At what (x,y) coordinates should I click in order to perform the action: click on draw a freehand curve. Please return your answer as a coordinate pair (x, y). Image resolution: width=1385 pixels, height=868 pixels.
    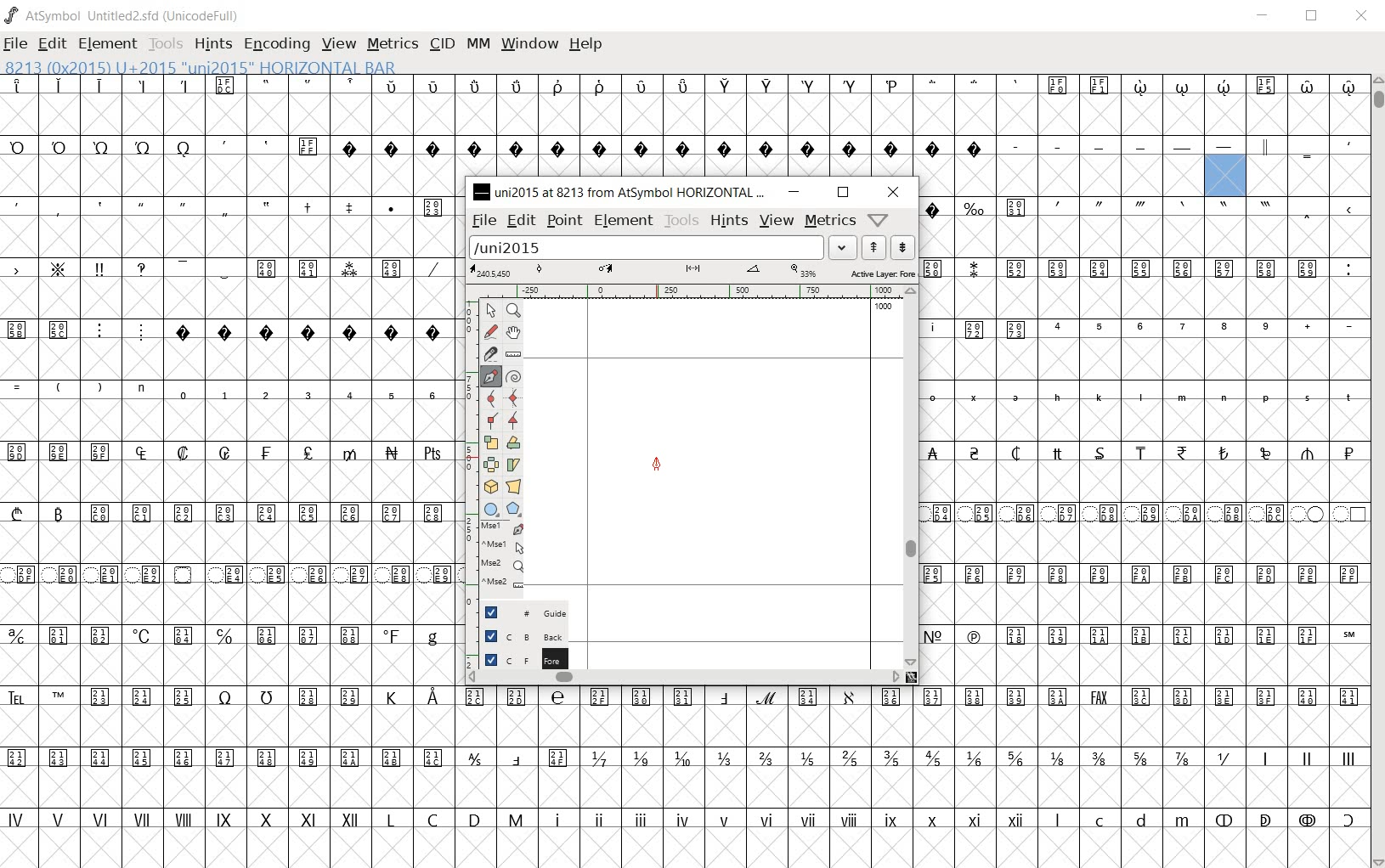
    Looking at the image, I should click on (490, 331).